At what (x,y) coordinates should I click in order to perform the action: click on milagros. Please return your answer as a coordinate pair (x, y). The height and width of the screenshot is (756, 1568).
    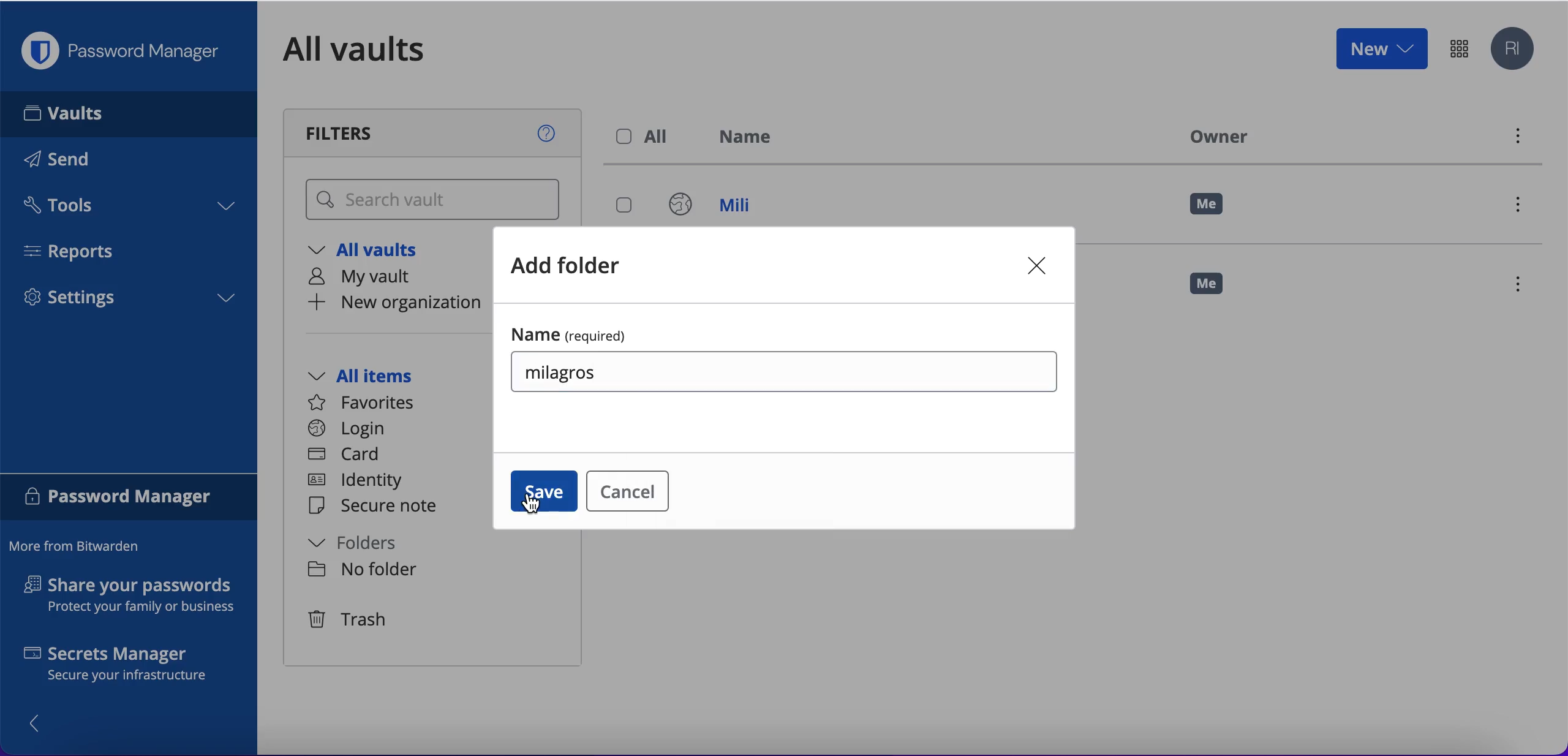
    Looking at the image, I should click on (565, 368).